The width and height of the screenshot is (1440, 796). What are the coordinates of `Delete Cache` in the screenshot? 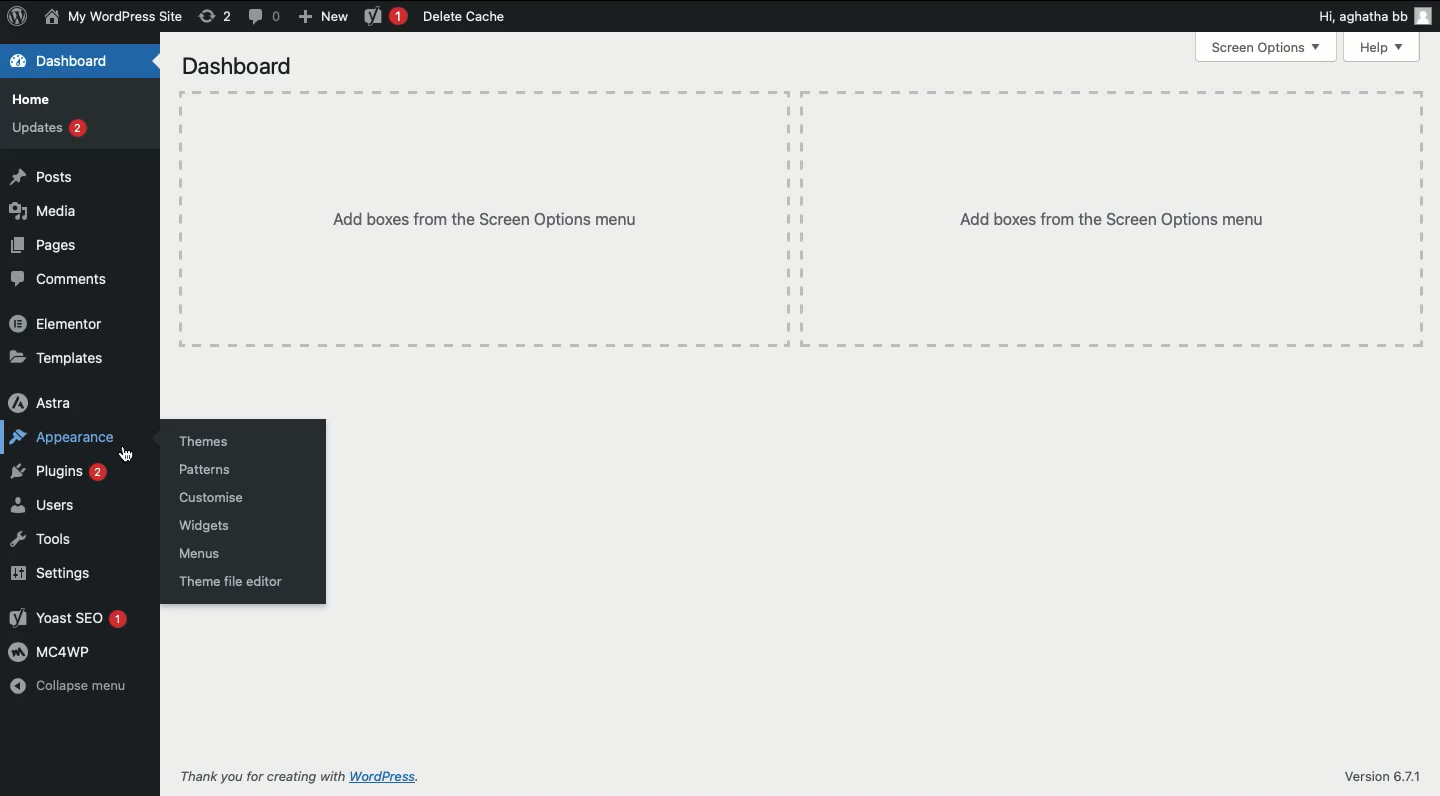 It's located at (441, 14).